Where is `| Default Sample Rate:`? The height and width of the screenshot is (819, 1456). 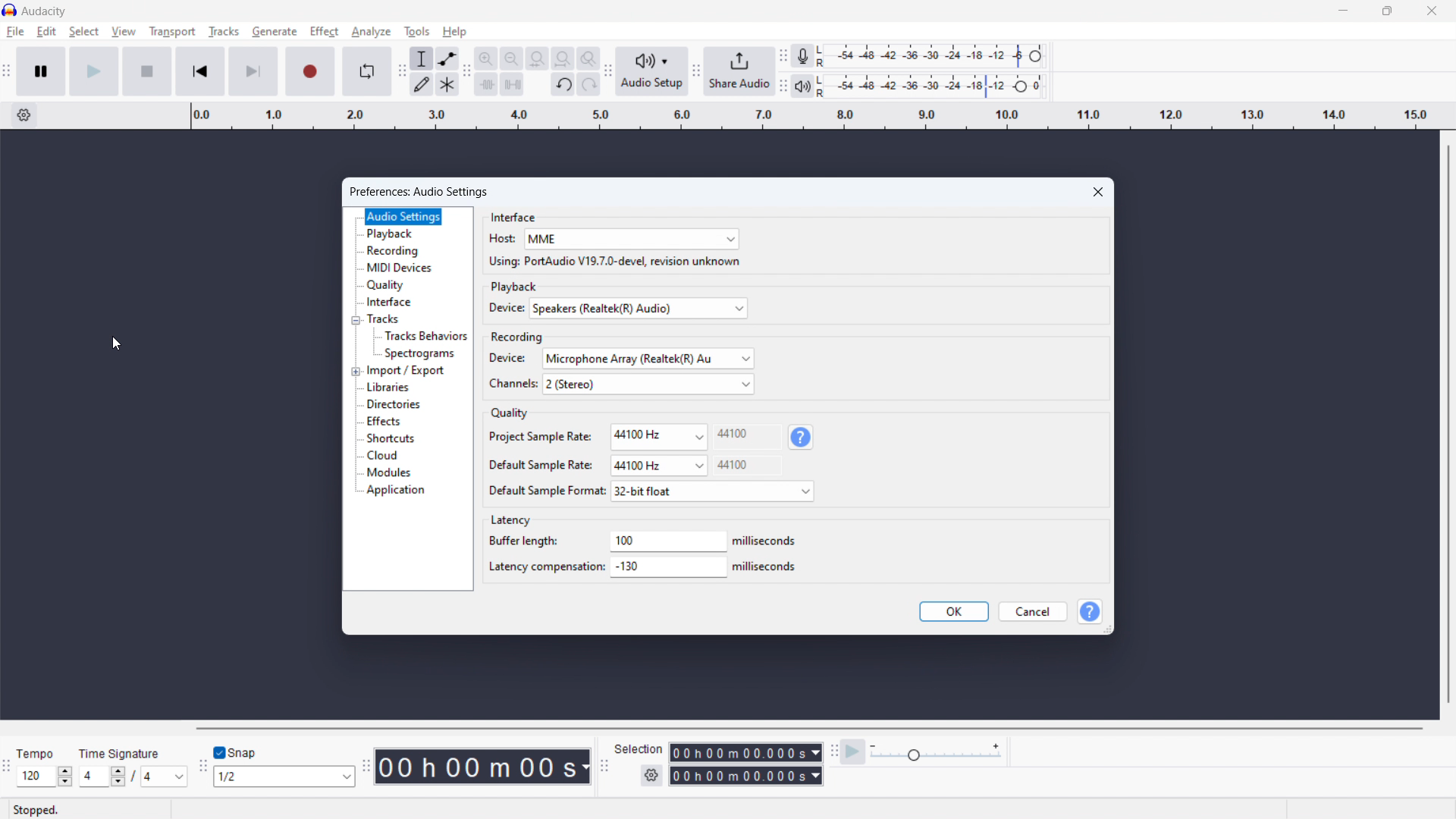
| Default Sample Rate: is located at coordinates (540, 465).